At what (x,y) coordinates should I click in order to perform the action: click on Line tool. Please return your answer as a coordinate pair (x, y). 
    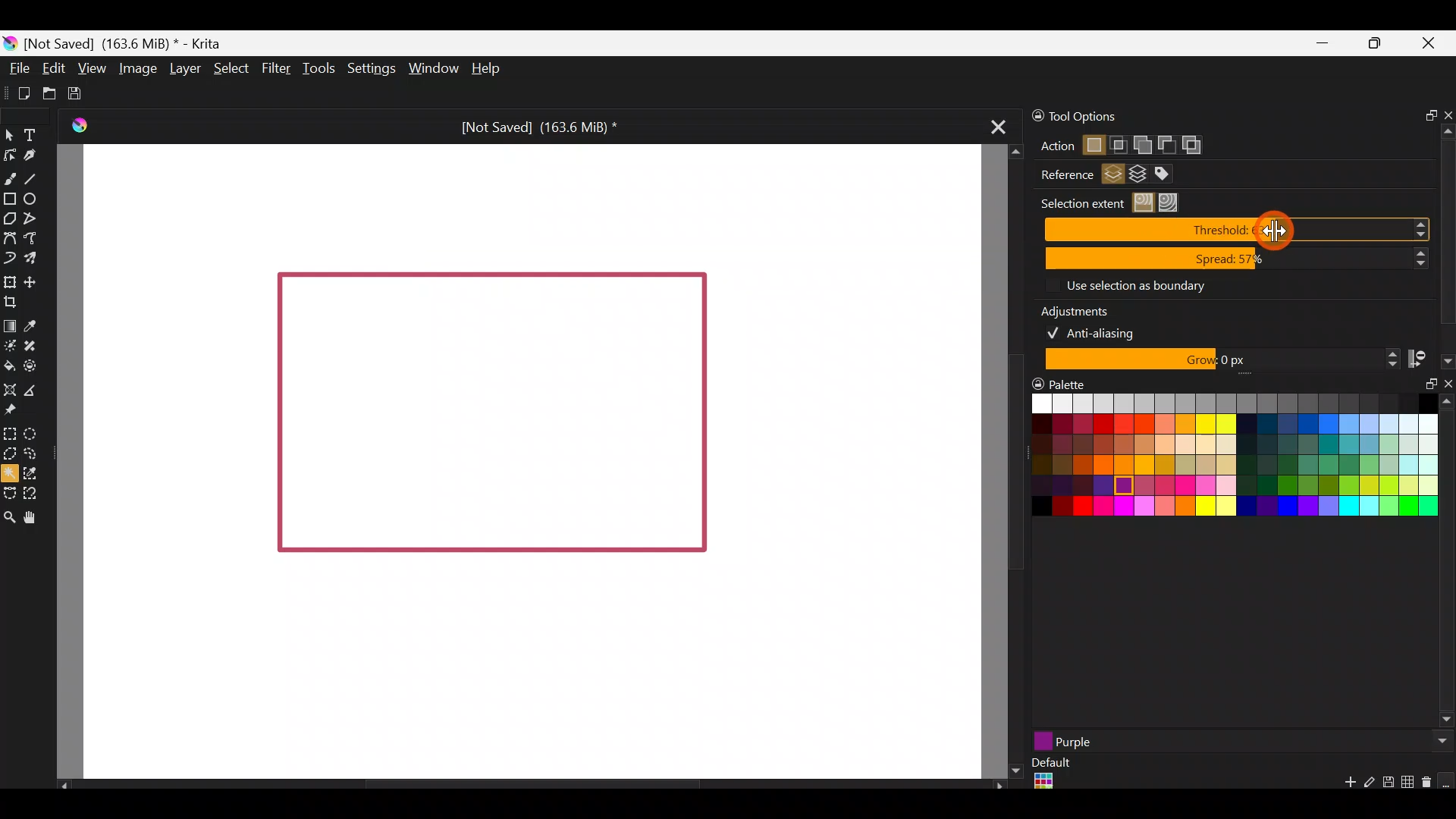
    Looking at the image, I should click on (36, 174).